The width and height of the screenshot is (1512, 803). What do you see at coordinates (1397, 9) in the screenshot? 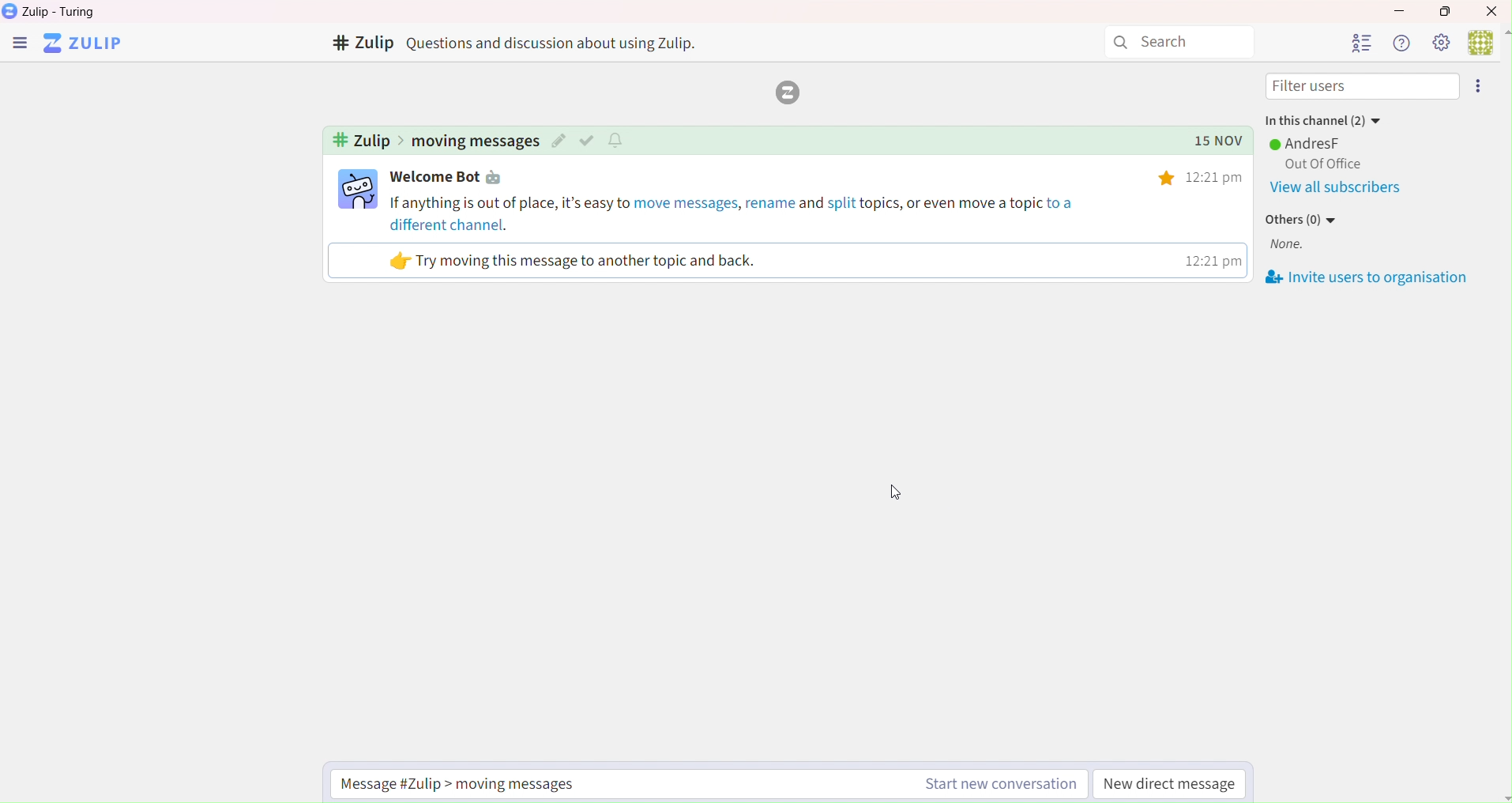
I see `Minimize` at bounding box center [1397, 9].